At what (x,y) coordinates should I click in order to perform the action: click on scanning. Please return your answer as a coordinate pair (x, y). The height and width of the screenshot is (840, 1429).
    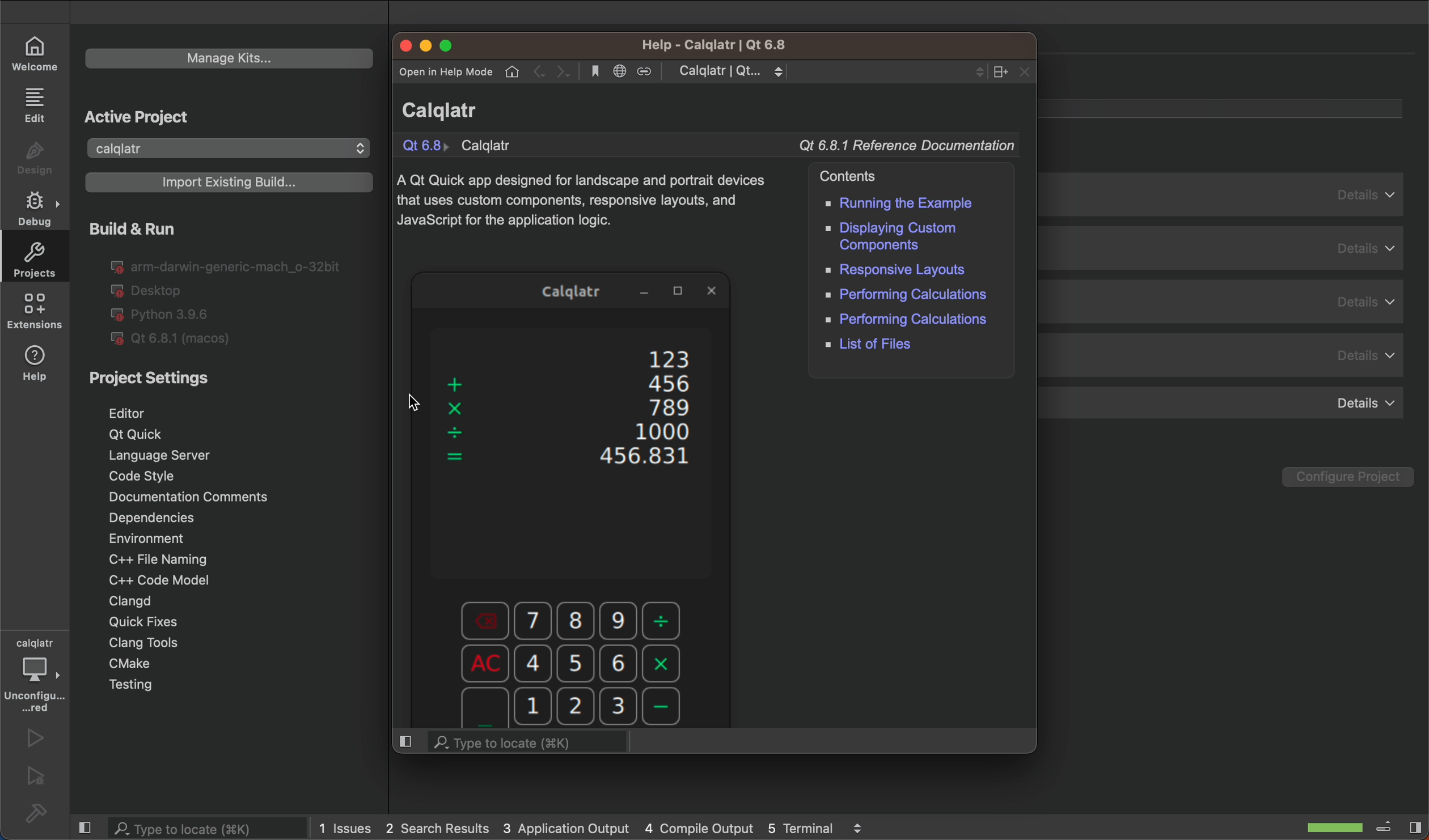
    Looking at the image, I should click on (1333, 828).